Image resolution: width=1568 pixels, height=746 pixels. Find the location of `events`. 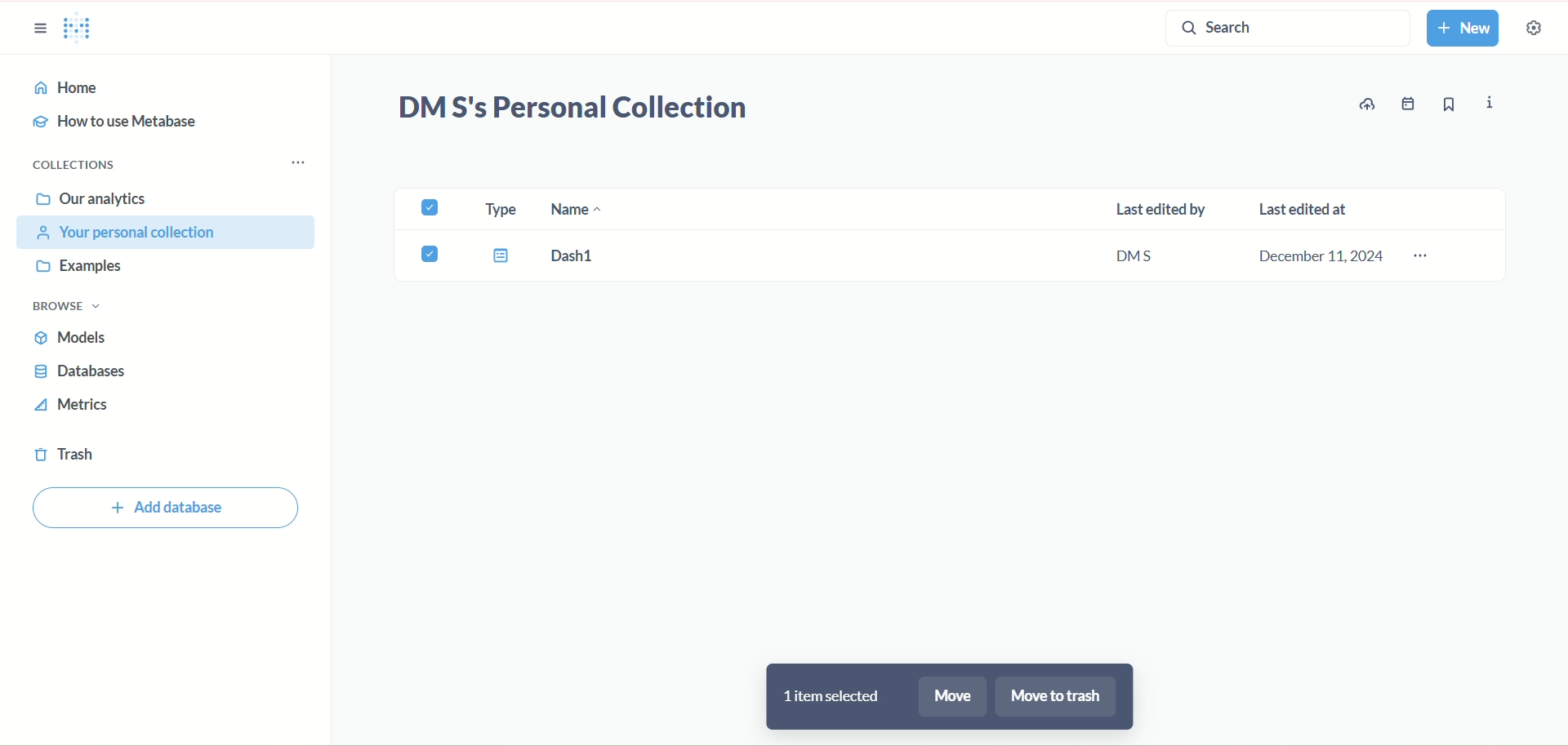

events is located at coordinates (1410, 105).